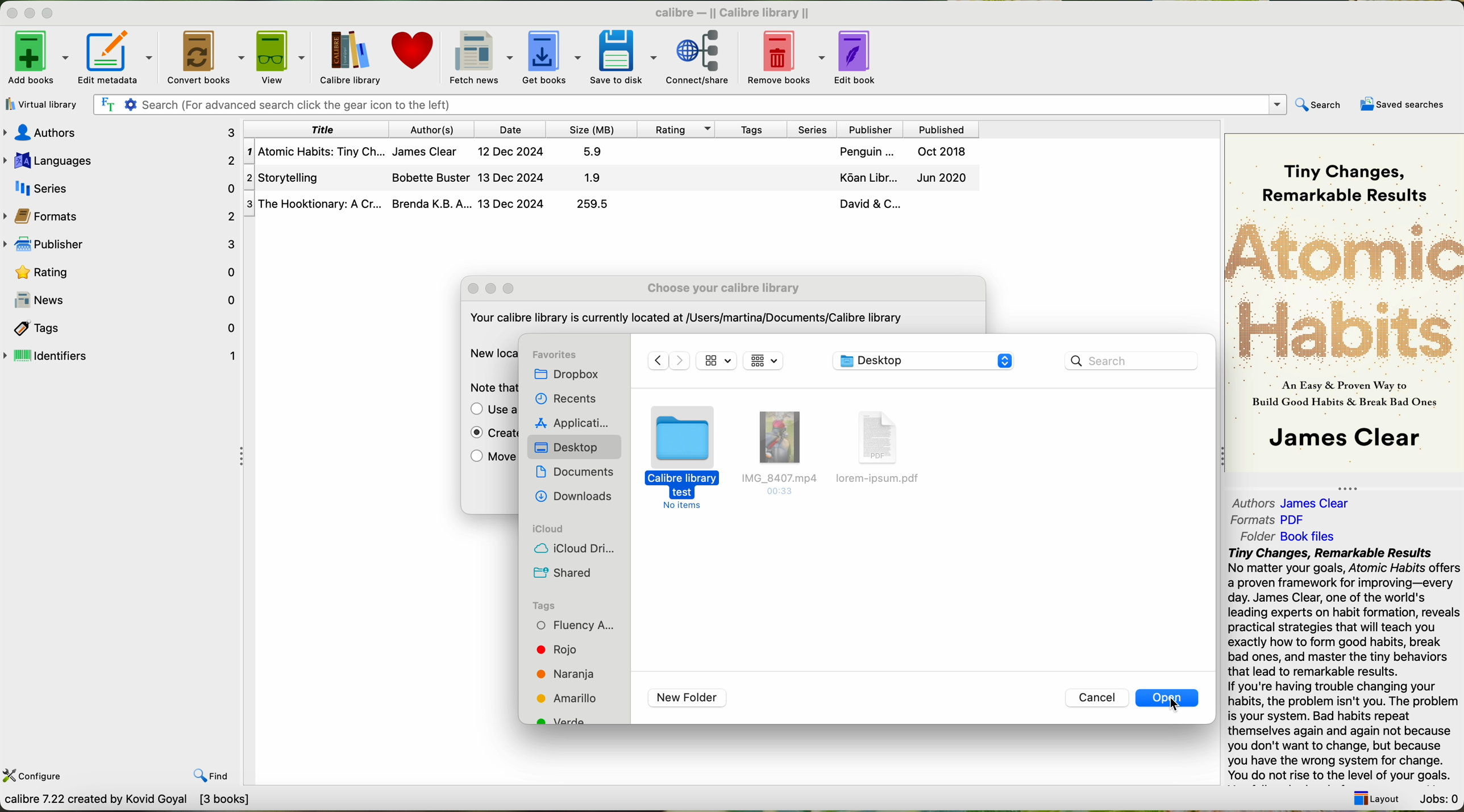 Image resolution: width=1464 pixels, height=812 pixels. I want to click on documents, so click(578, 473).